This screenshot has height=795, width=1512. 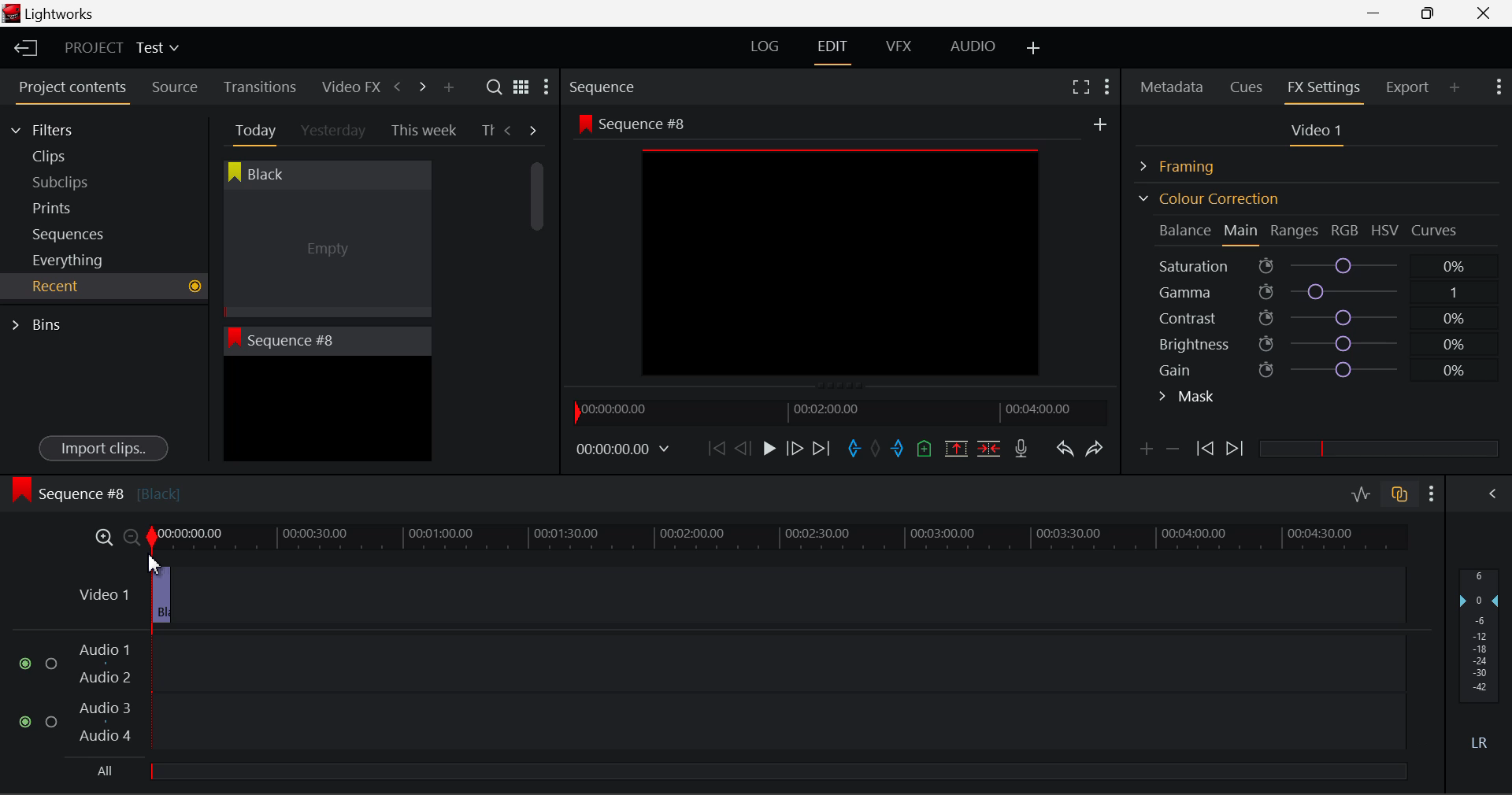 What do you see at coordinates (899, 449) in the screenshot?
I see `Mark Out` at bounding box center [899, 449].